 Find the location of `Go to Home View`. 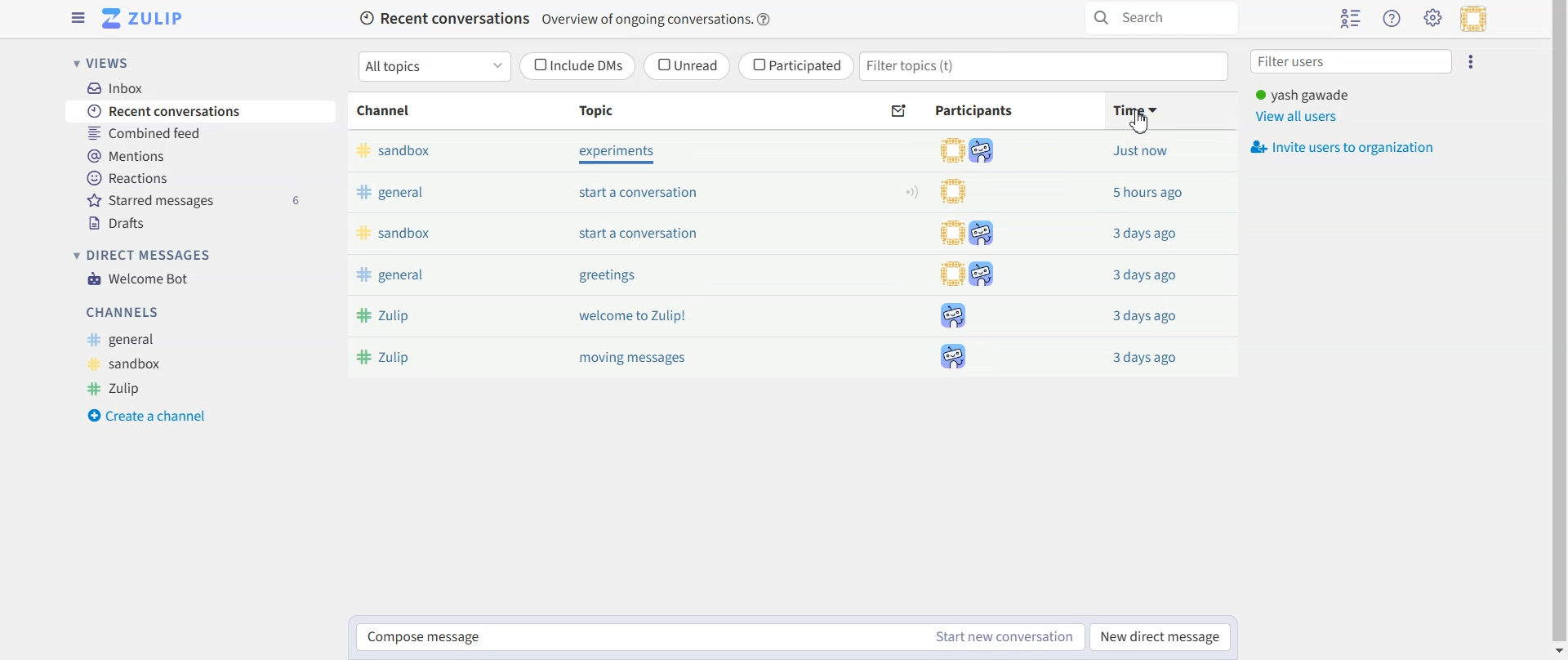

Go to Home View is located at coordinates (145, 18).